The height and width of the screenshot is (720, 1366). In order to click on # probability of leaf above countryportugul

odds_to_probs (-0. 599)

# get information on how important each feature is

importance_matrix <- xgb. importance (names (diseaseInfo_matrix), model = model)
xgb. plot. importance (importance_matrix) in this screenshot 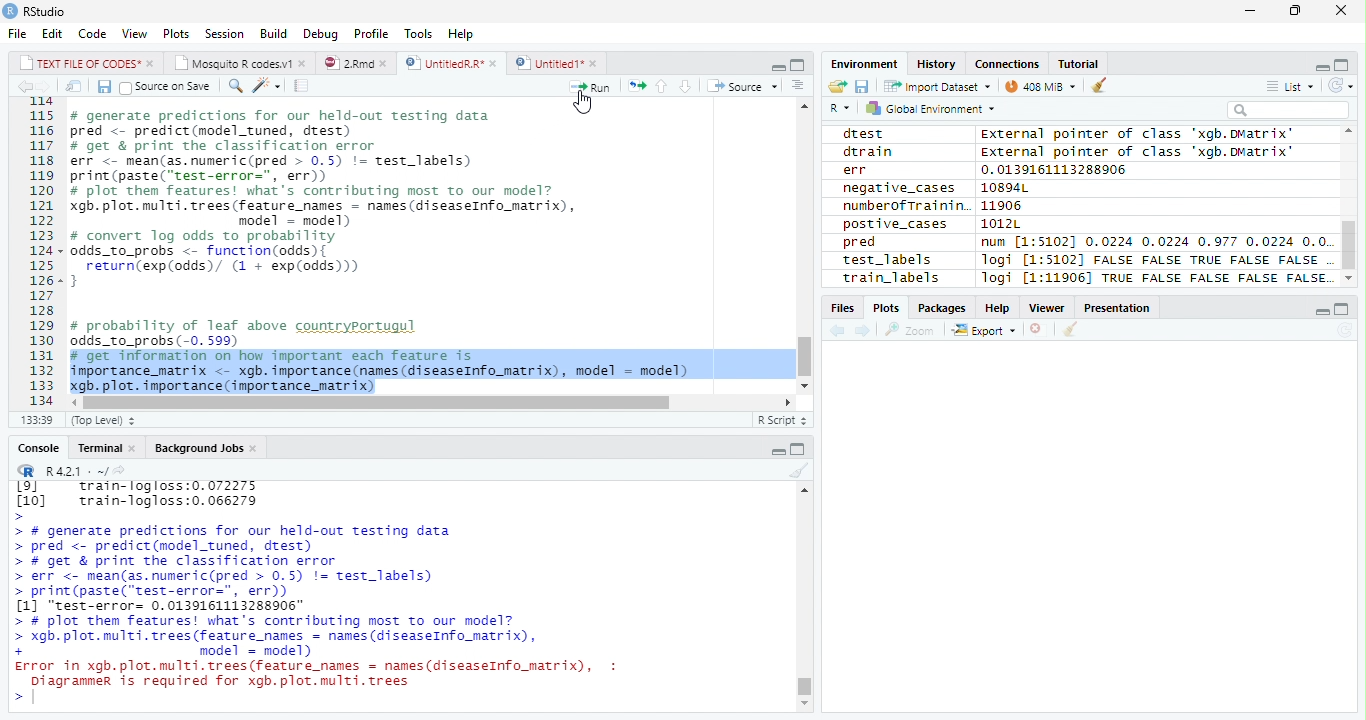, I will do `click(385, 353)`.